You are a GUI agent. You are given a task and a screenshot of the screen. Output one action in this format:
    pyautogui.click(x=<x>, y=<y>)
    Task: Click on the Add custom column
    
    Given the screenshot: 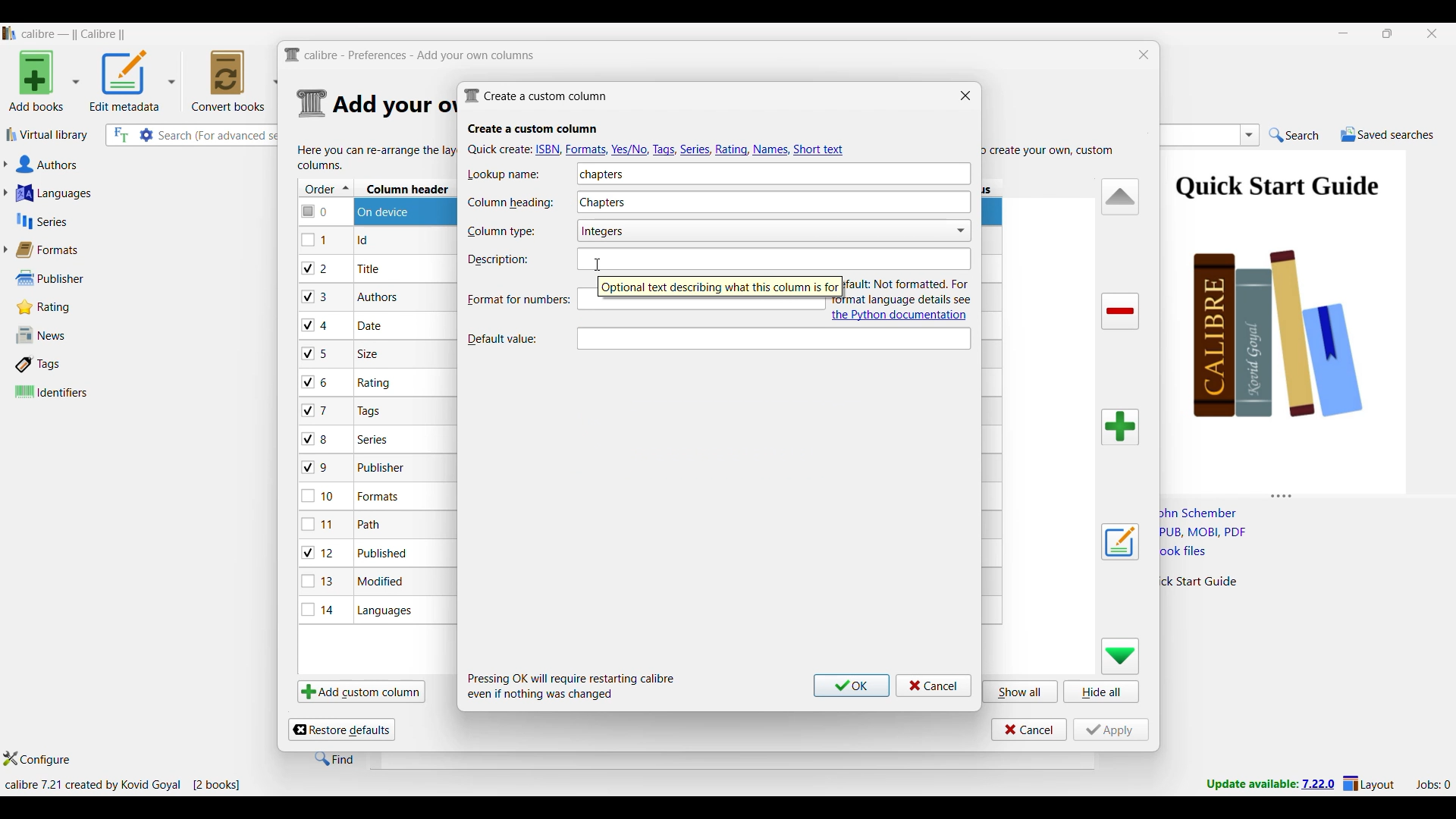 What is the action you would take?
    pyautogui.click(x=361, y=691)
    